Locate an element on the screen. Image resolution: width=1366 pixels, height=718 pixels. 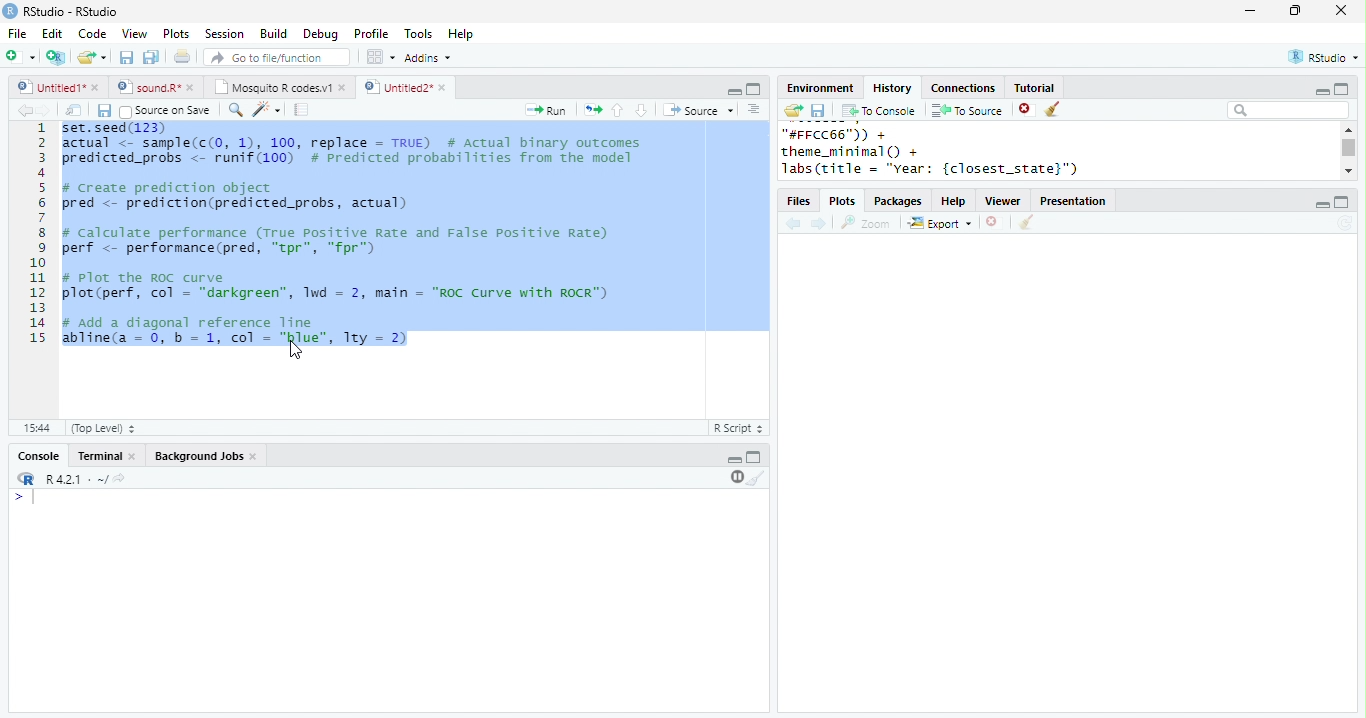
Plots is located at coordinates (177, 33).